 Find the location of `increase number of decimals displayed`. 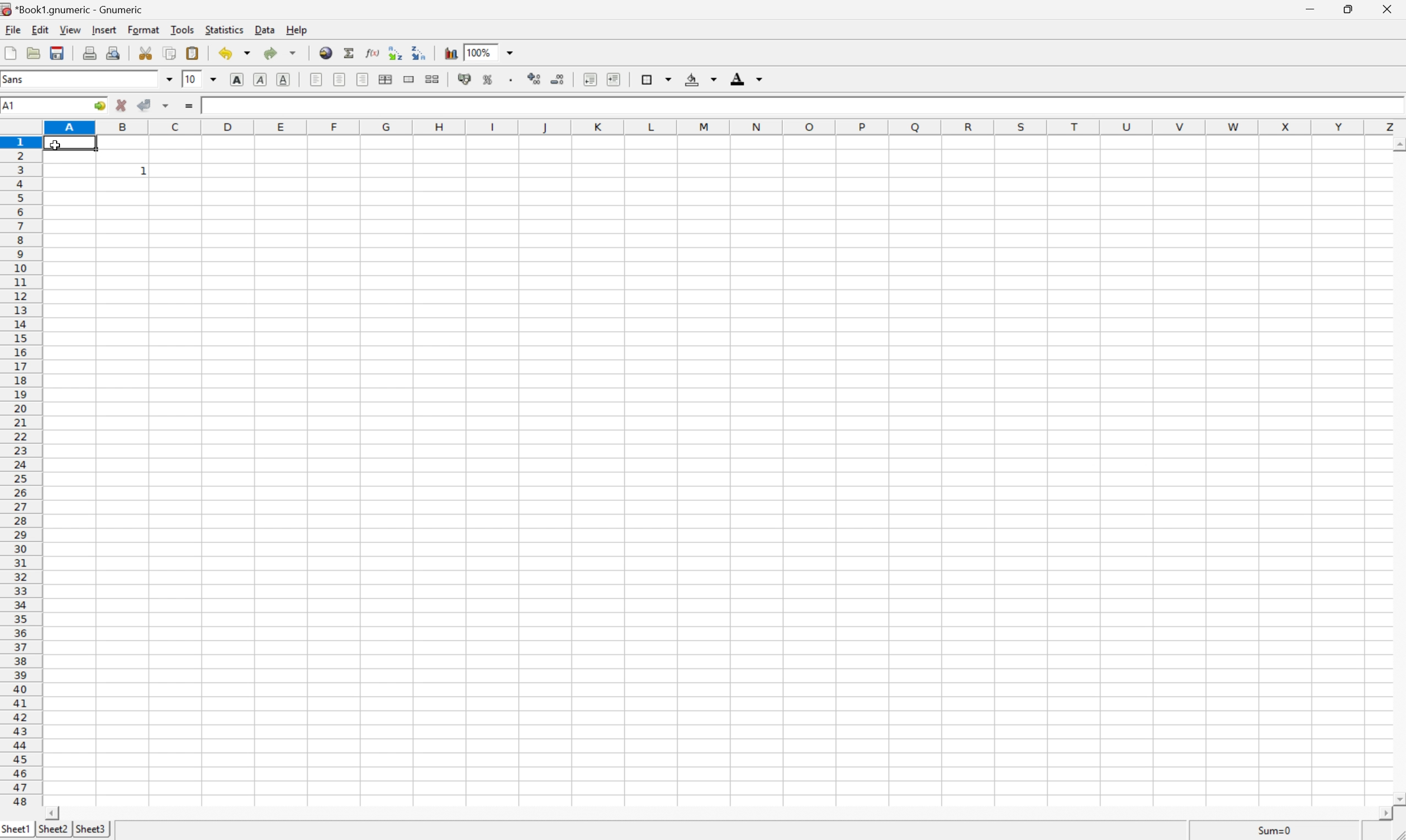

increase number of decimals displayed is located at coordinates (535, 80).